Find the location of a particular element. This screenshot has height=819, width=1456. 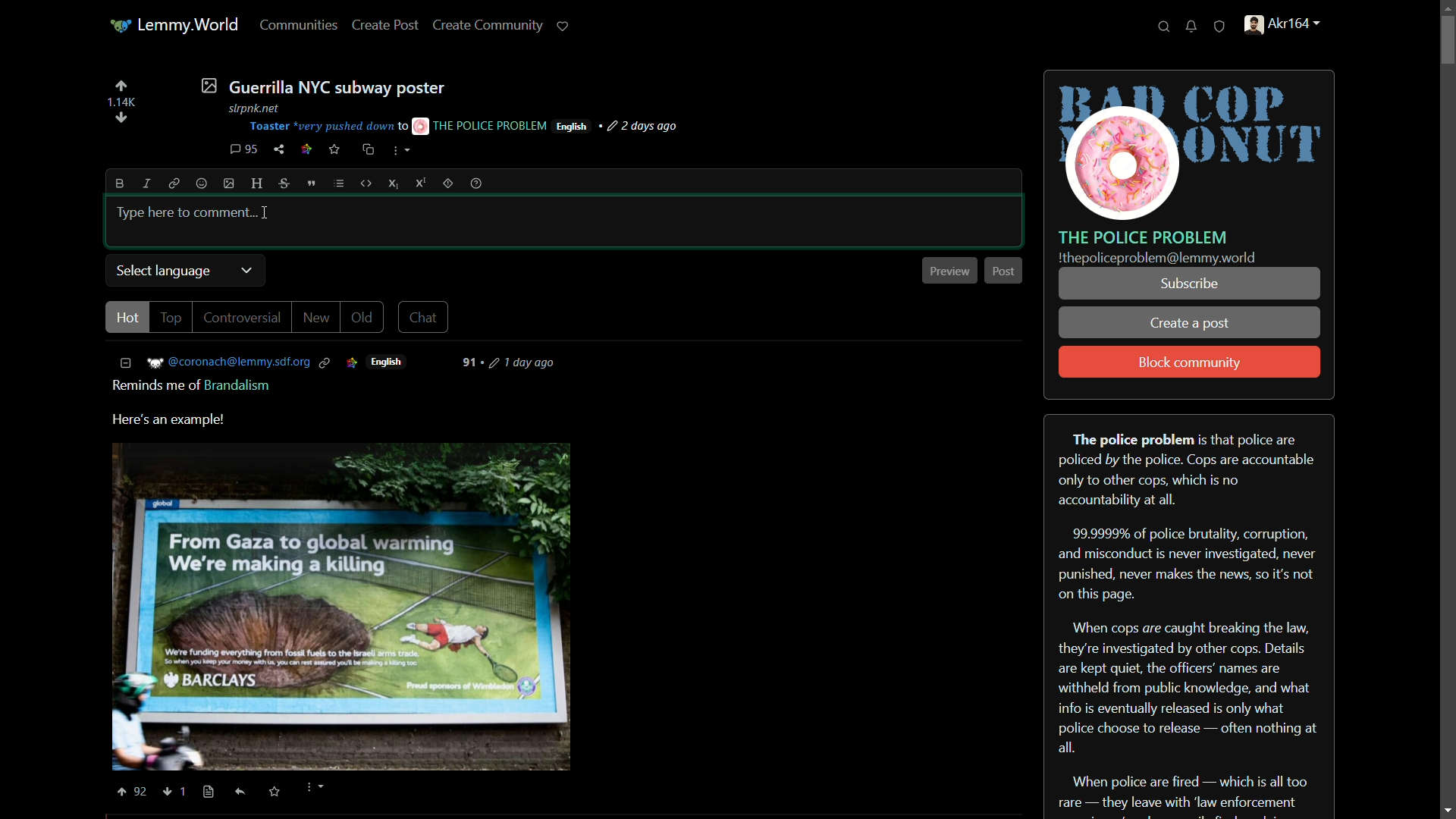

post-time is located at coordinates (524, 365).